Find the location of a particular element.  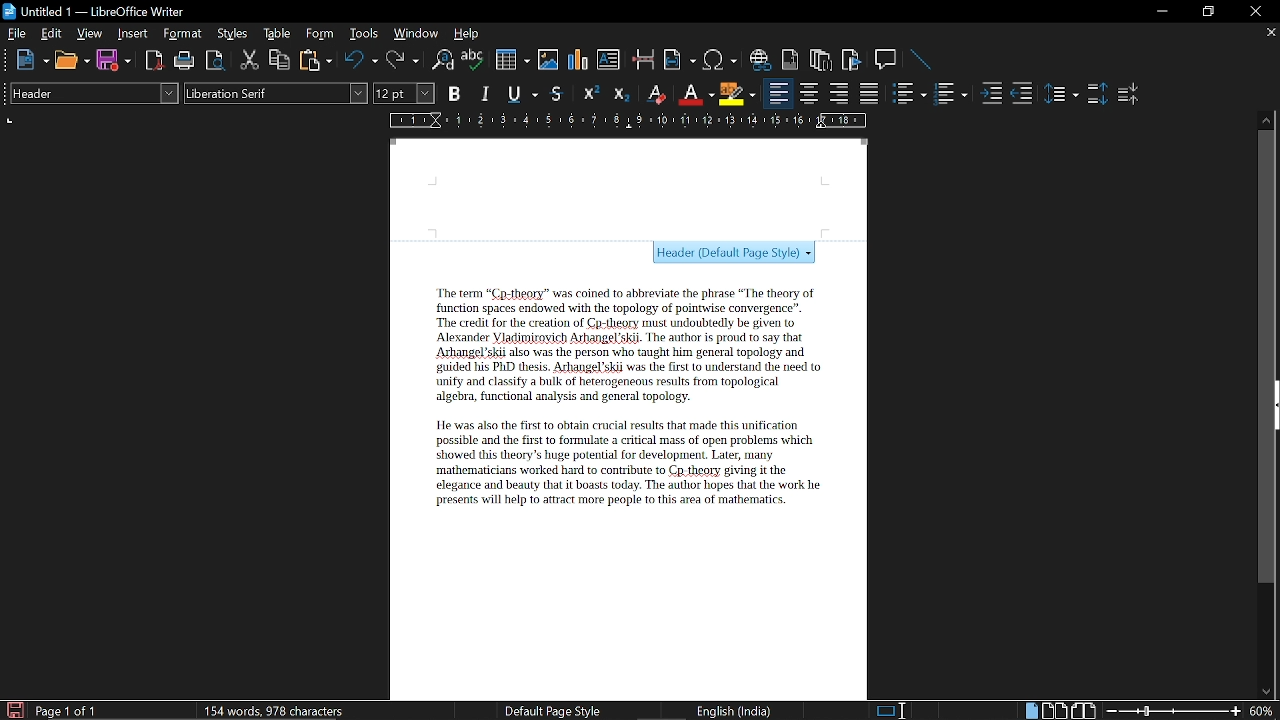

Restore down is located at coordinates (1206, 12).